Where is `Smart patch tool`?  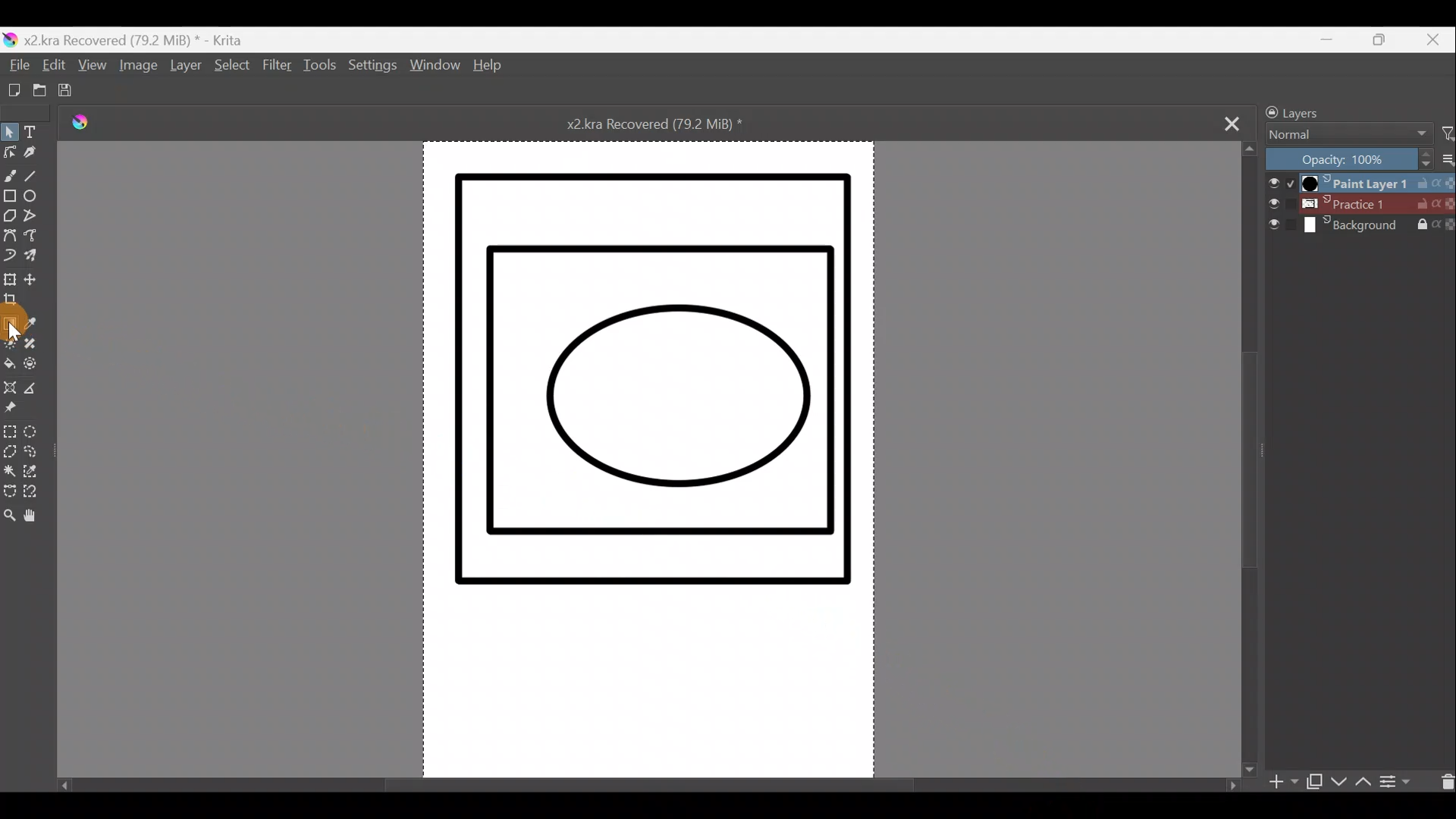
Smart patch tool is located at coordinates (36, 345).